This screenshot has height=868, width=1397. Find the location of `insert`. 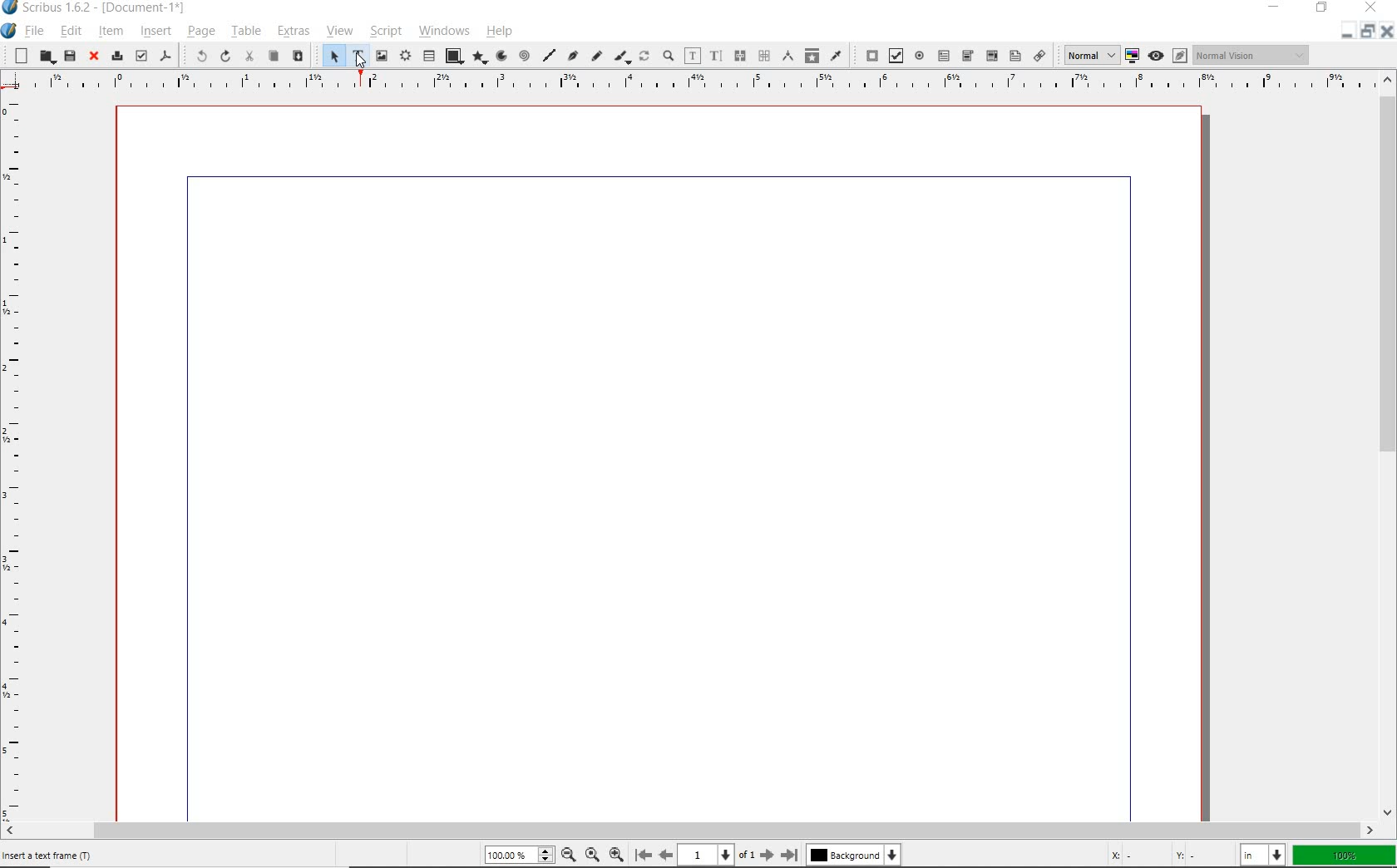

insert is located at coordinates (154, 31).